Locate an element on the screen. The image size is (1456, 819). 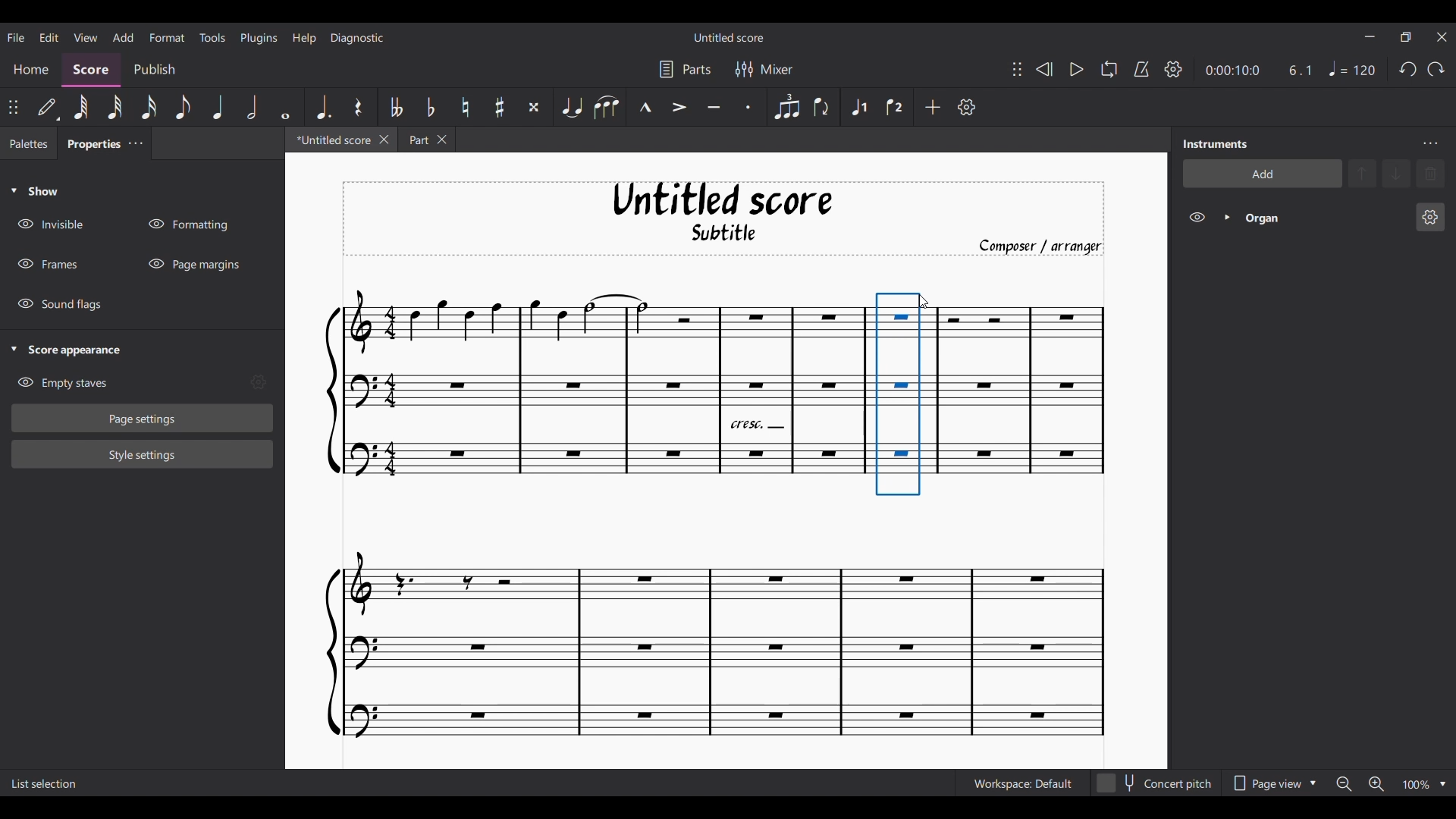
Delete selection is located at coordinates (1430, 174).